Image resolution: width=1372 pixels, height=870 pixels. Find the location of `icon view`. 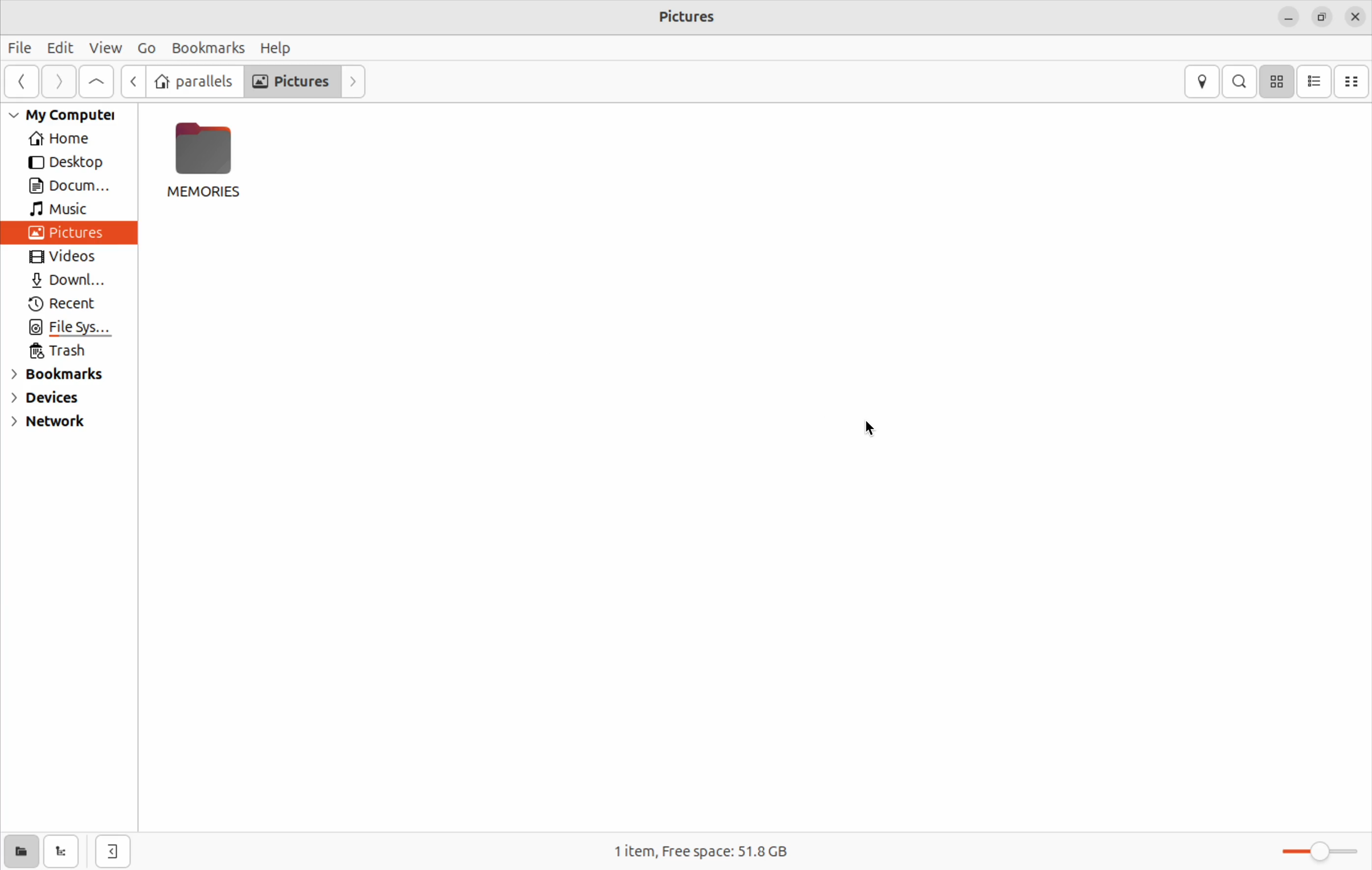

icon view is located at coordinates (1278, 80).